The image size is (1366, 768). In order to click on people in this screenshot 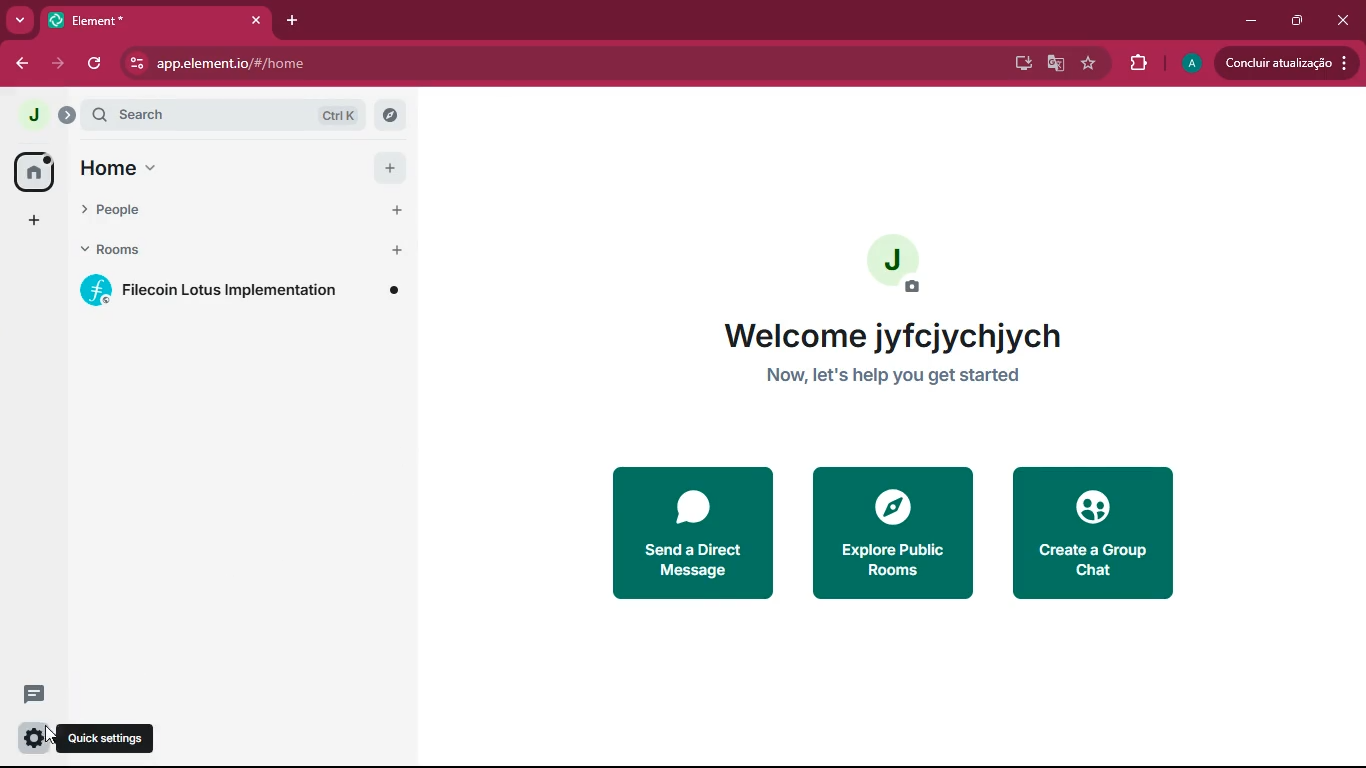, I will do `click(207, 211)`.